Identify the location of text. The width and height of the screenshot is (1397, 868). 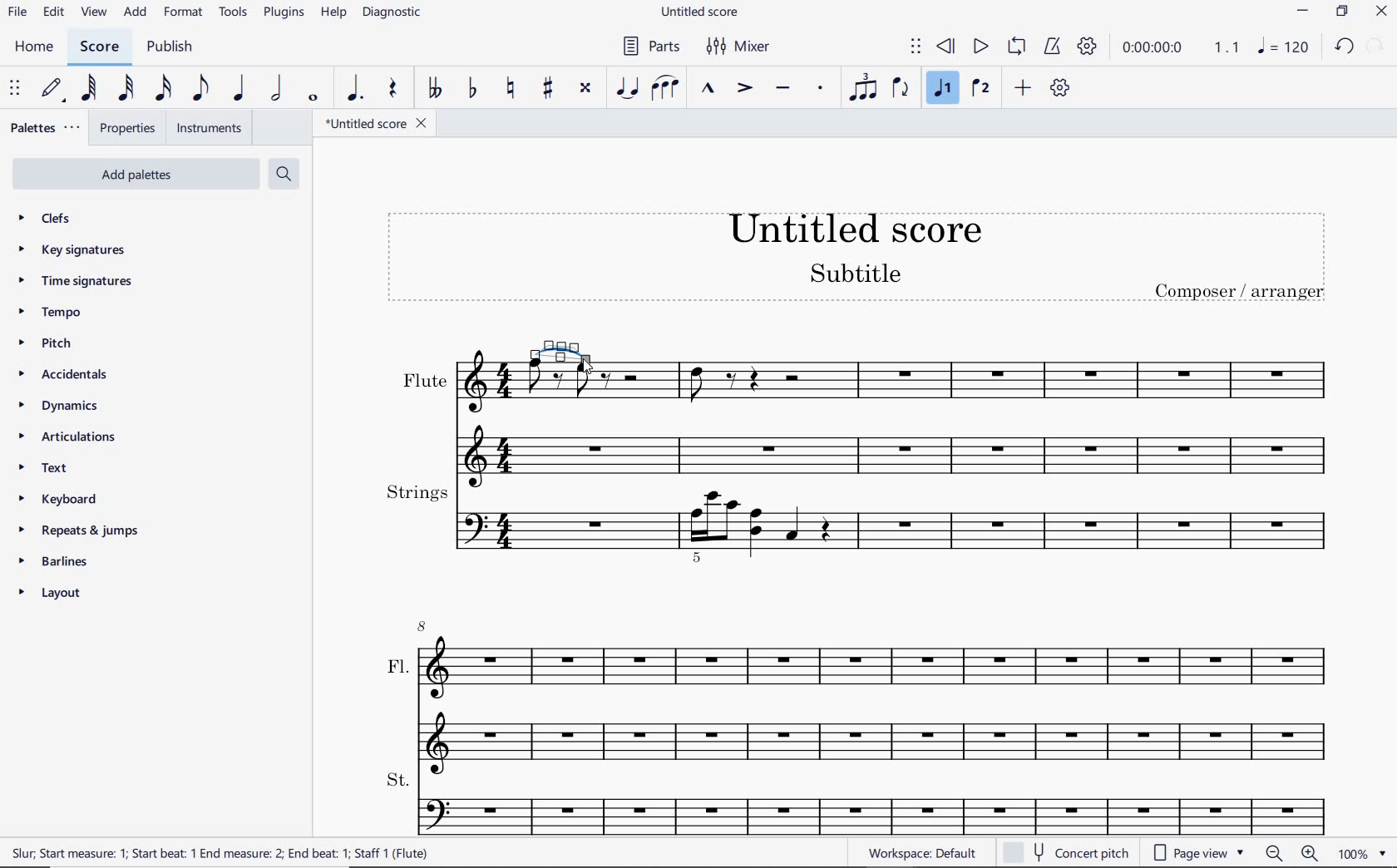
(42, 470).